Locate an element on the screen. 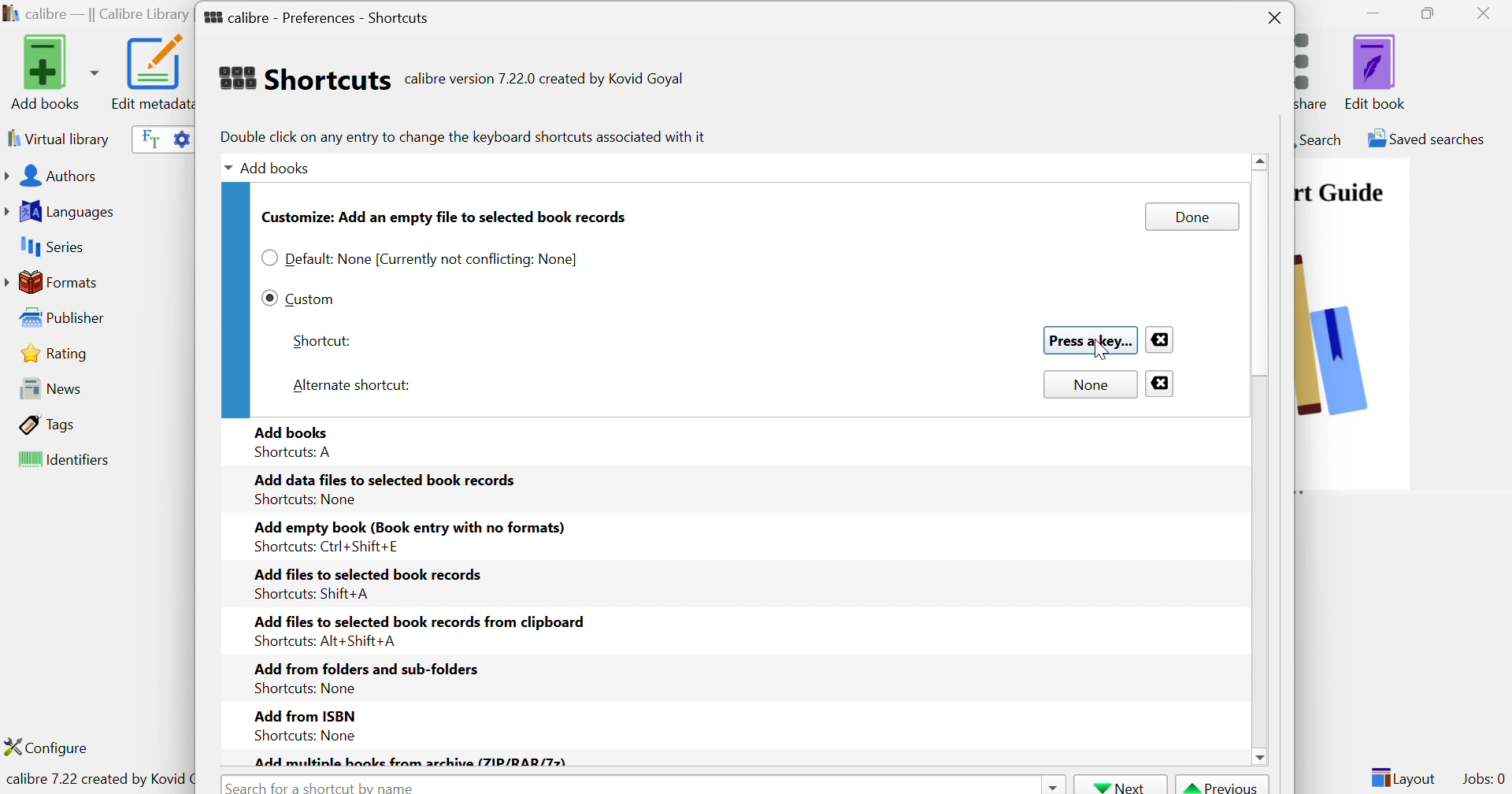  calibre version 7.22.0 created by Kovid Goyal is located at coordinates (544, 80).